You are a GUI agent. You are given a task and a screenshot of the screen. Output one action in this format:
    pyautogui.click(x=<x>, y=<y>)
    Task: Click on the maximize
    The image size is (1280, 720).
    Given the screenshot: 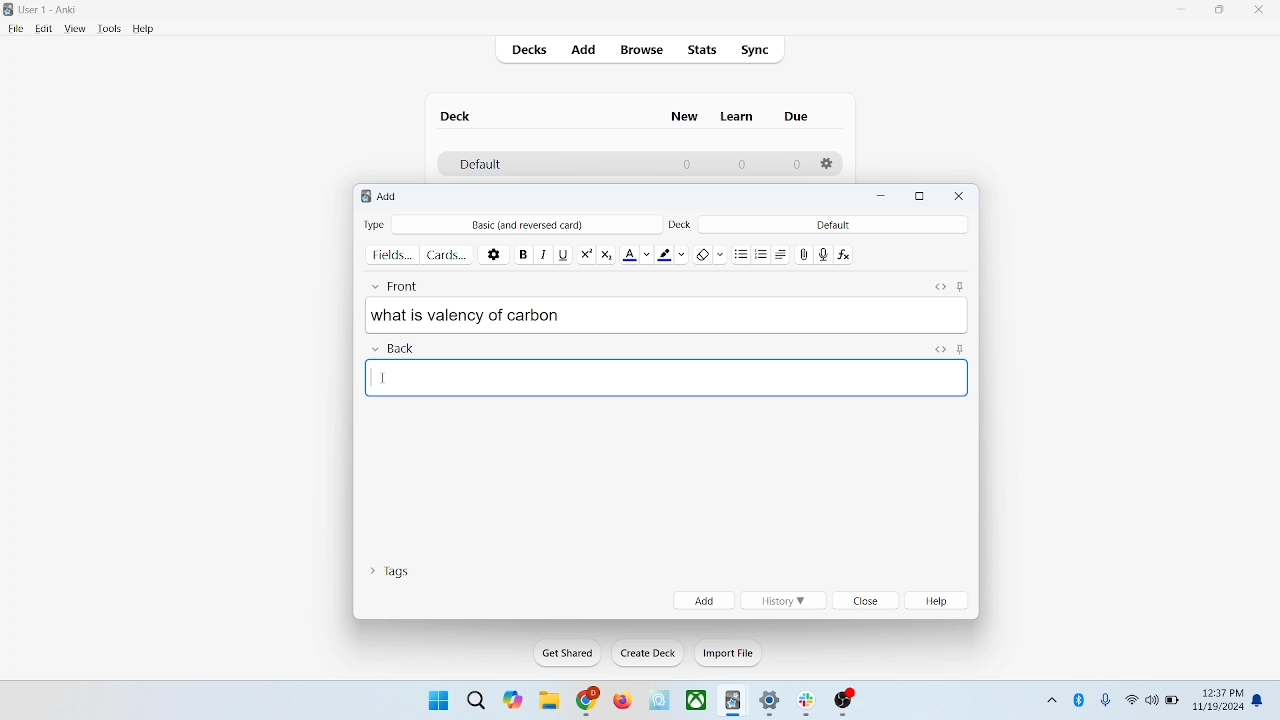 What is the action you would take?
    pyautogui.click(x=1220, y=13)
    